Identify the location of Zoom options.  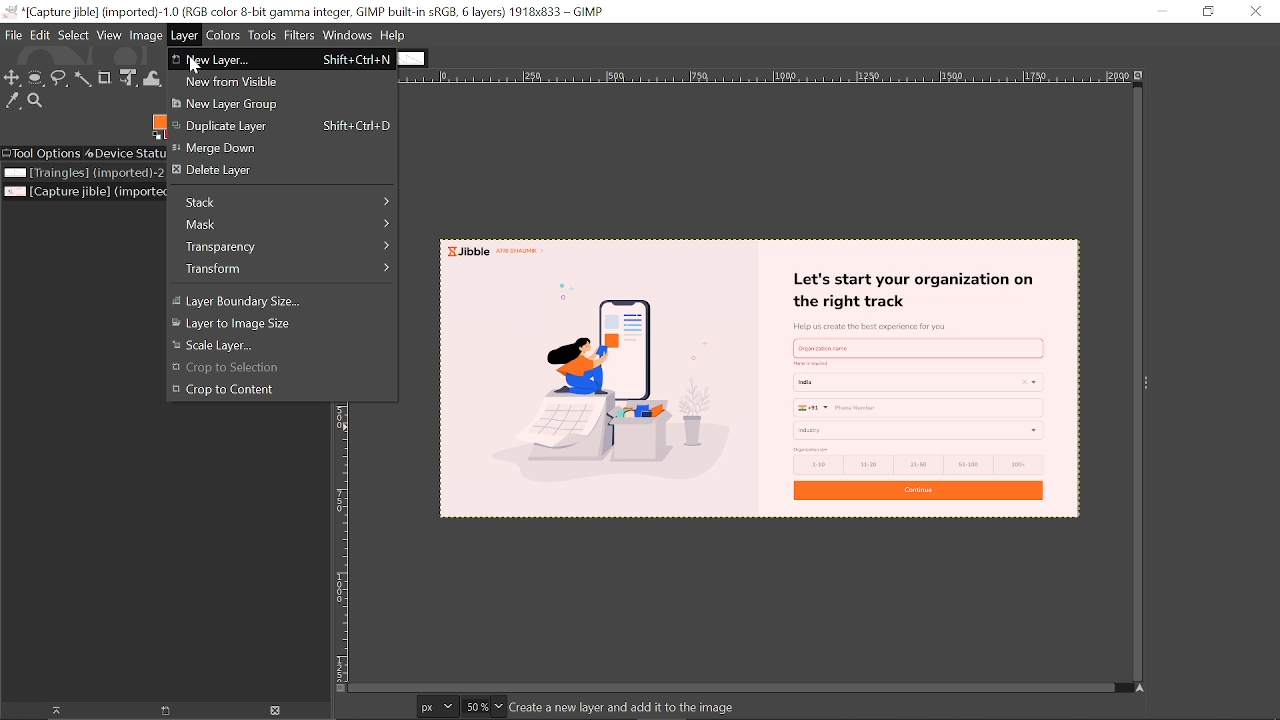
(501, 706).